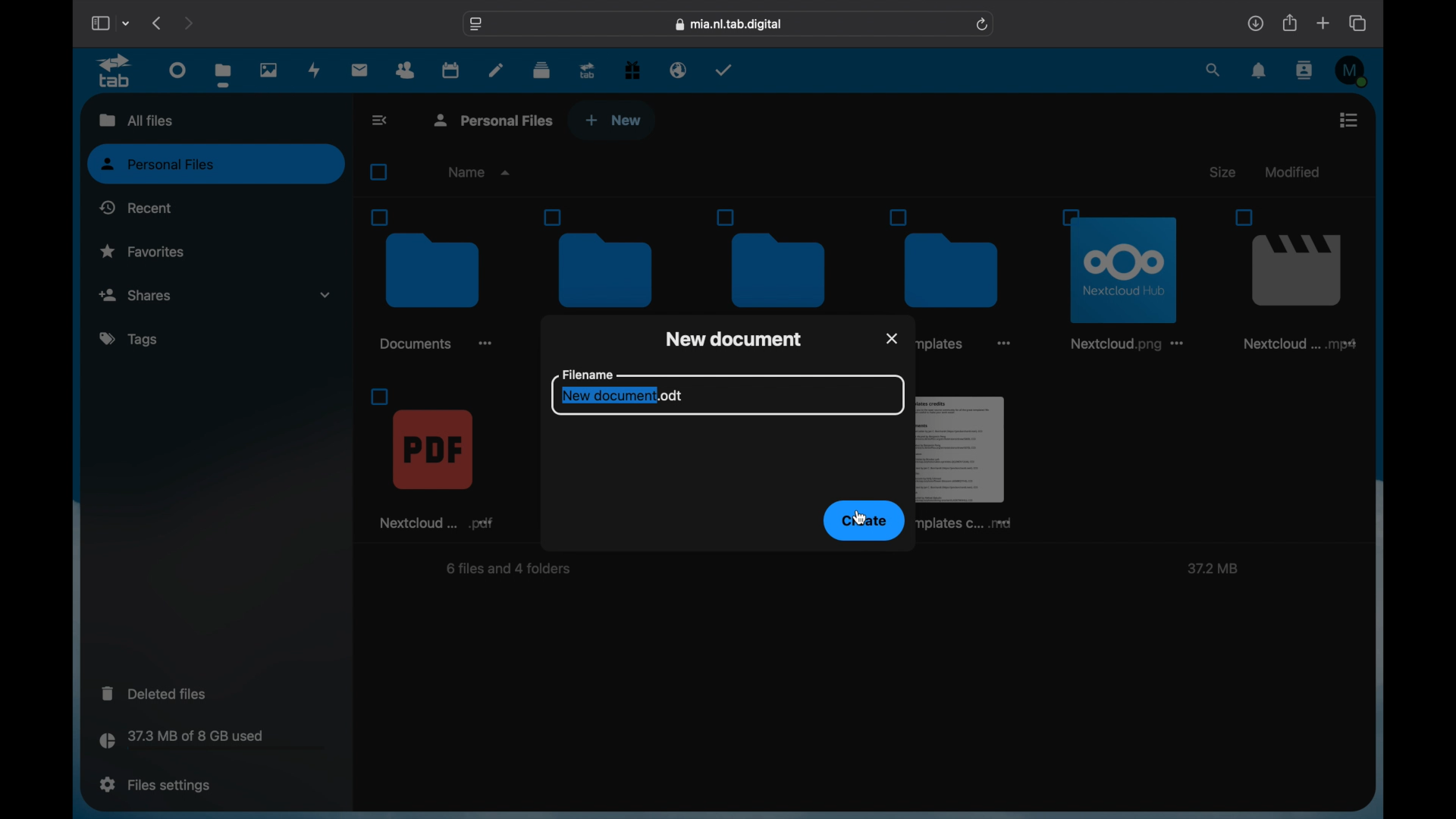 The image size is (1456, 819). Describe the element at coordinates (1291, 23) in the screenshot. I see `share` at that location.